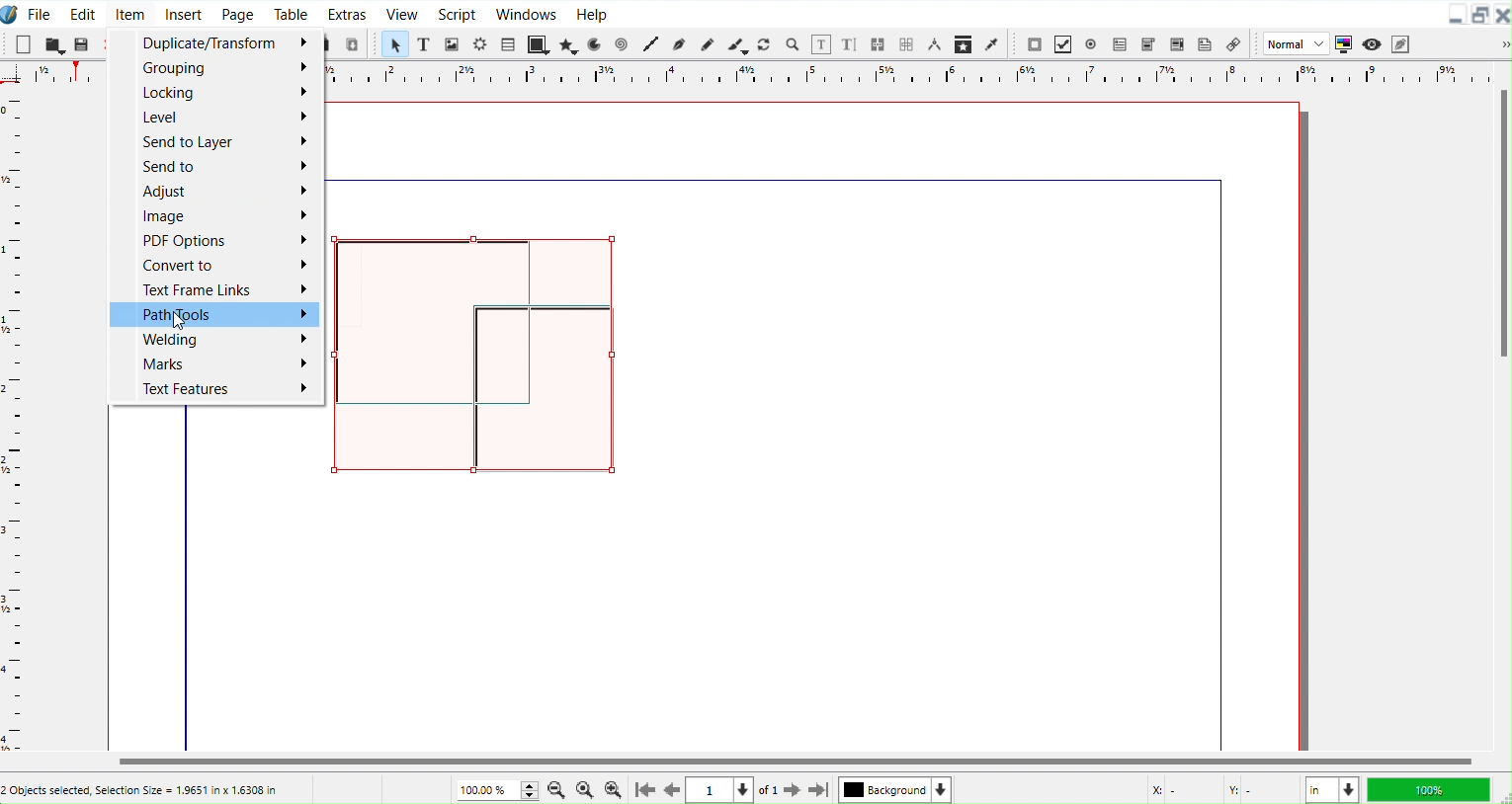  What do you see at coordinates (215, 92) in the screenshot?
I see `Locking` at bounding box center [215, 92].